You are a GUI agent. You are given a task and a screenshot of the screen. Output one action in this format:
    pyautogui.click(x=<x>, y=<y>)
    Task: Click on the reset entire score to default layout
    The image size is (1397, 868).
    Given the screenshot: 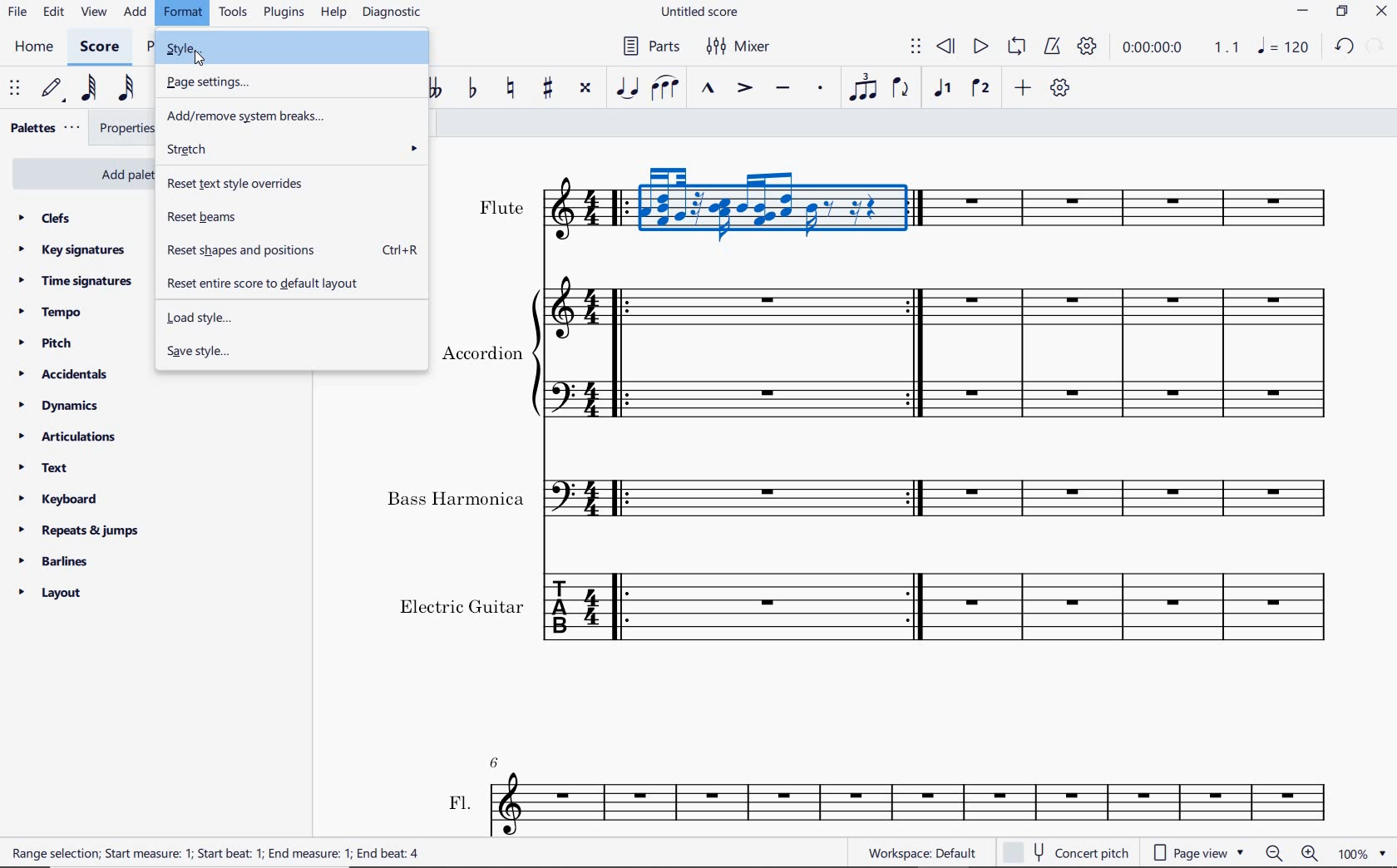 What is the action you would take?
    pyautogui.click(x=287, y=284)
    